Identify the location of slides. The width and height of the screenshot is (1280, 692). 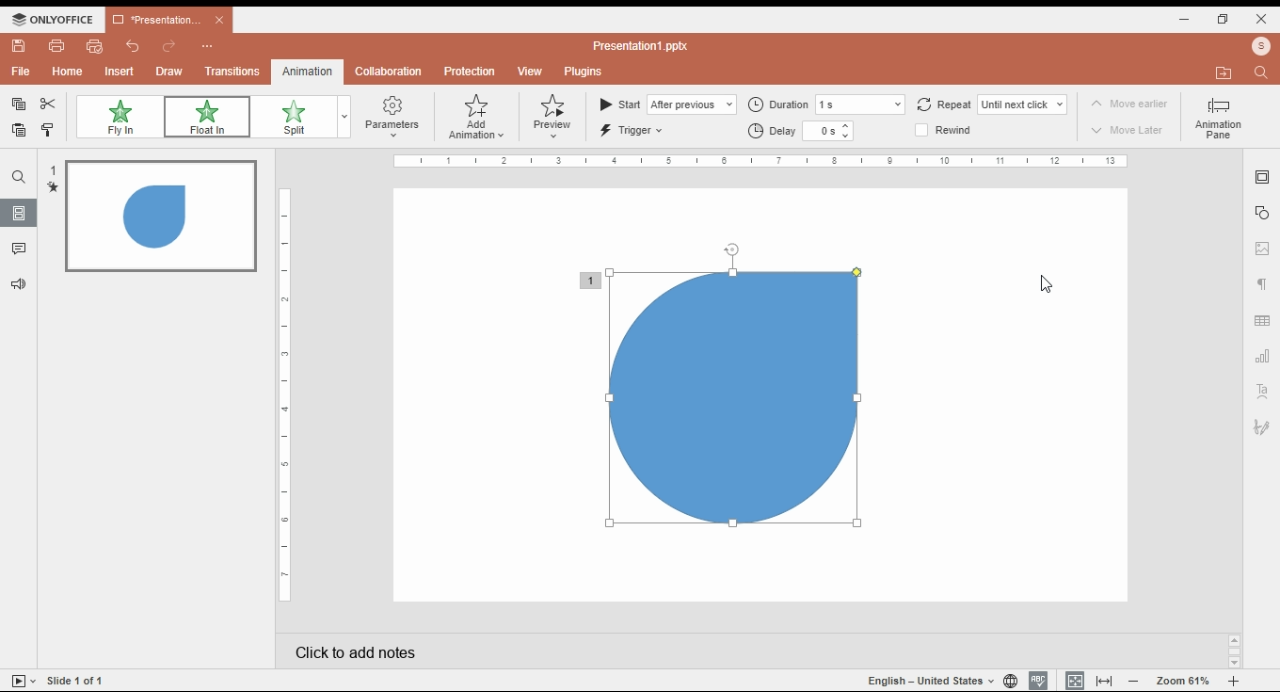
(21, 213).